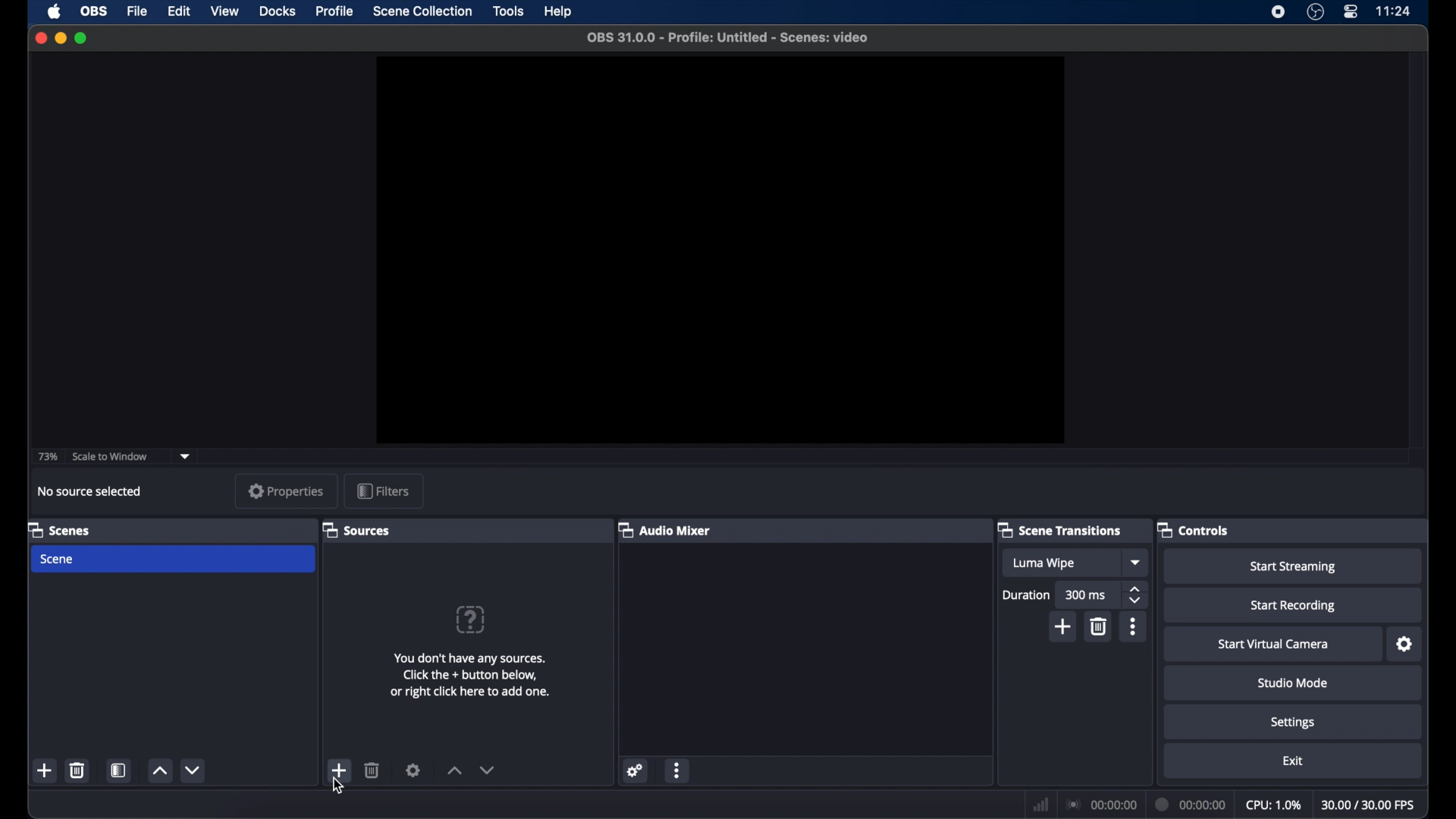  I want to click on network, so click(1040, 805).